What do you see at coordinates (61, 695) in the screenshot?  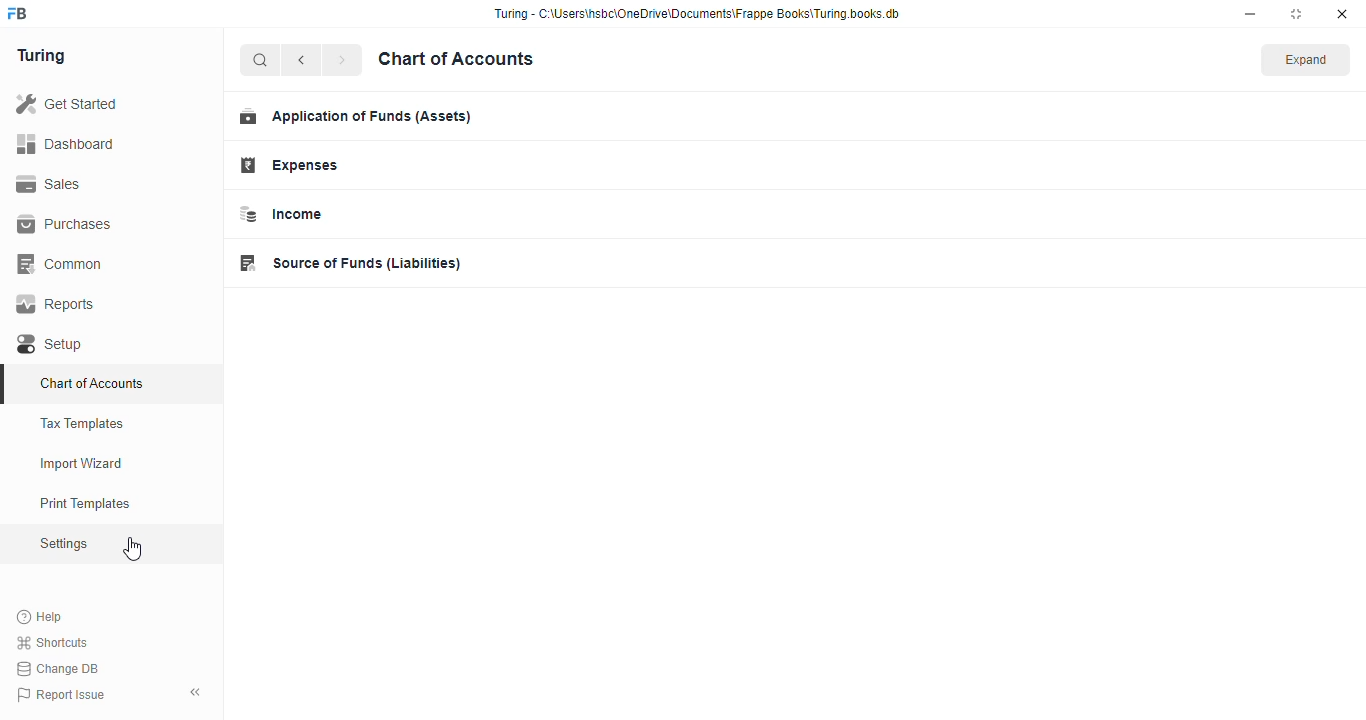 I see `report issue` at bounding box center [61, 695].